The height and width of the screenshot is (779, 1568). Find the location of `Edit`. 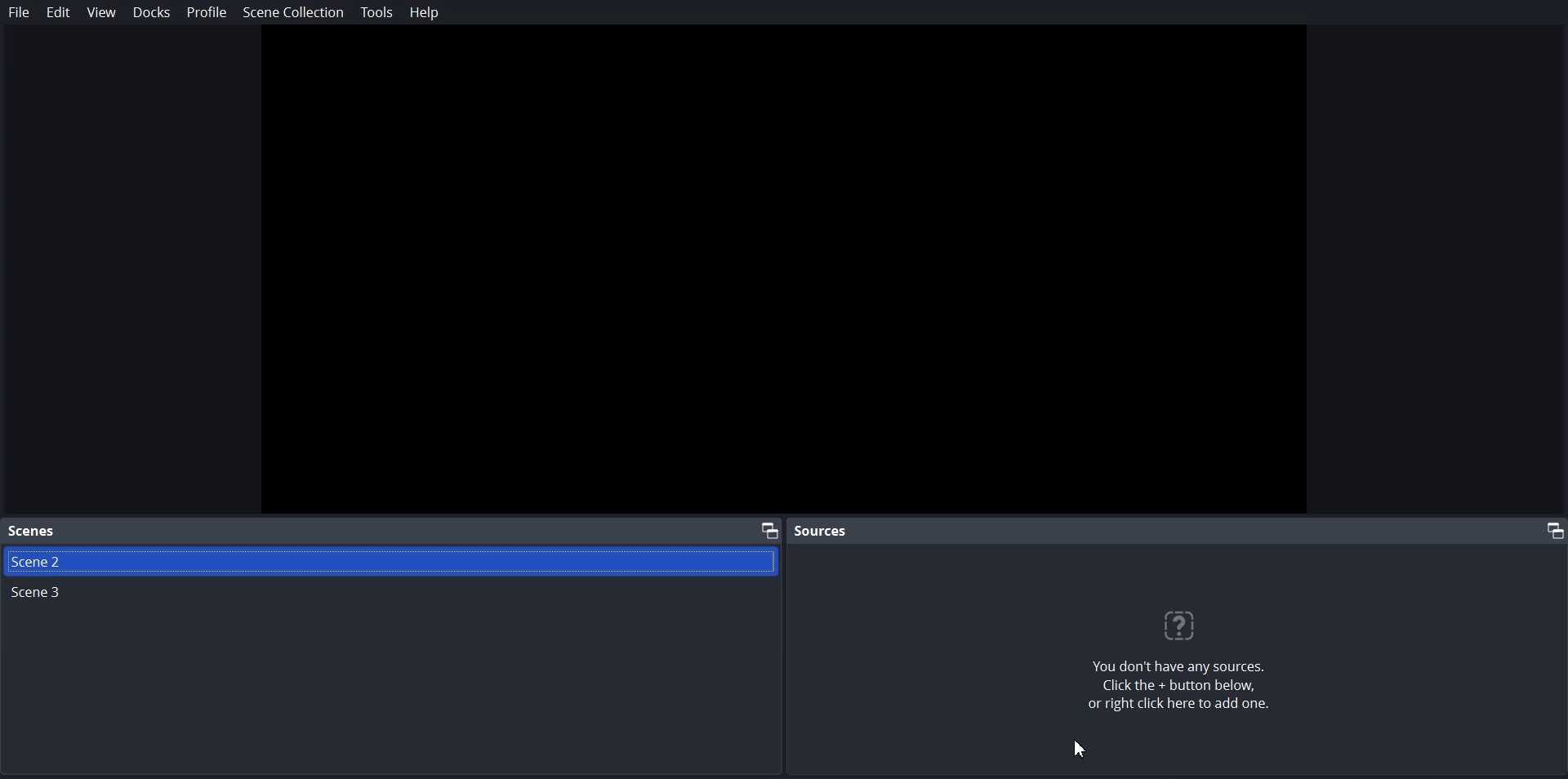

Edit is located at coordinates (58, 12).